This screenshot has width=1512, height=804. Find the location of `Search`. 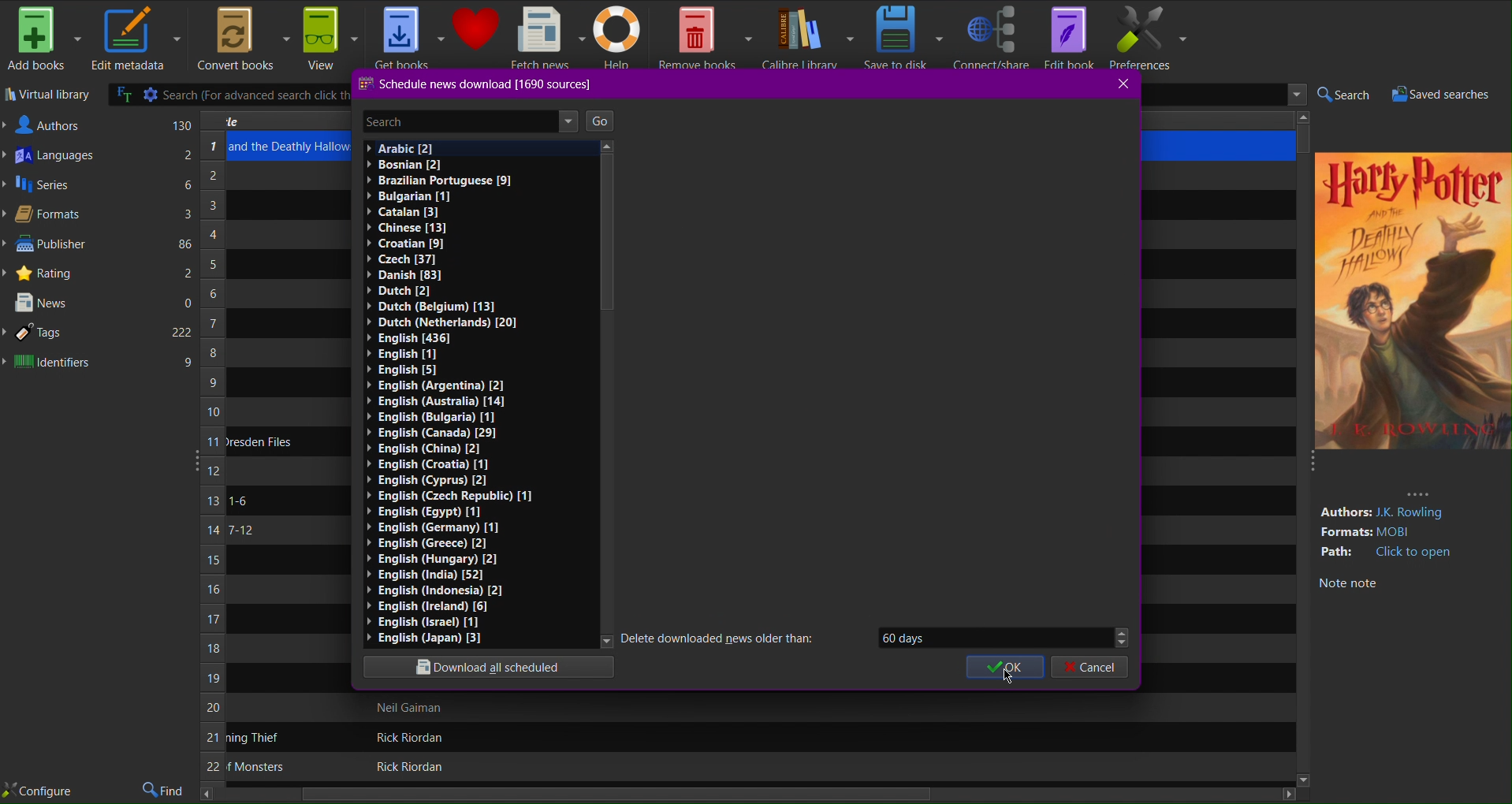

Search is located at coordinates (452, 121).